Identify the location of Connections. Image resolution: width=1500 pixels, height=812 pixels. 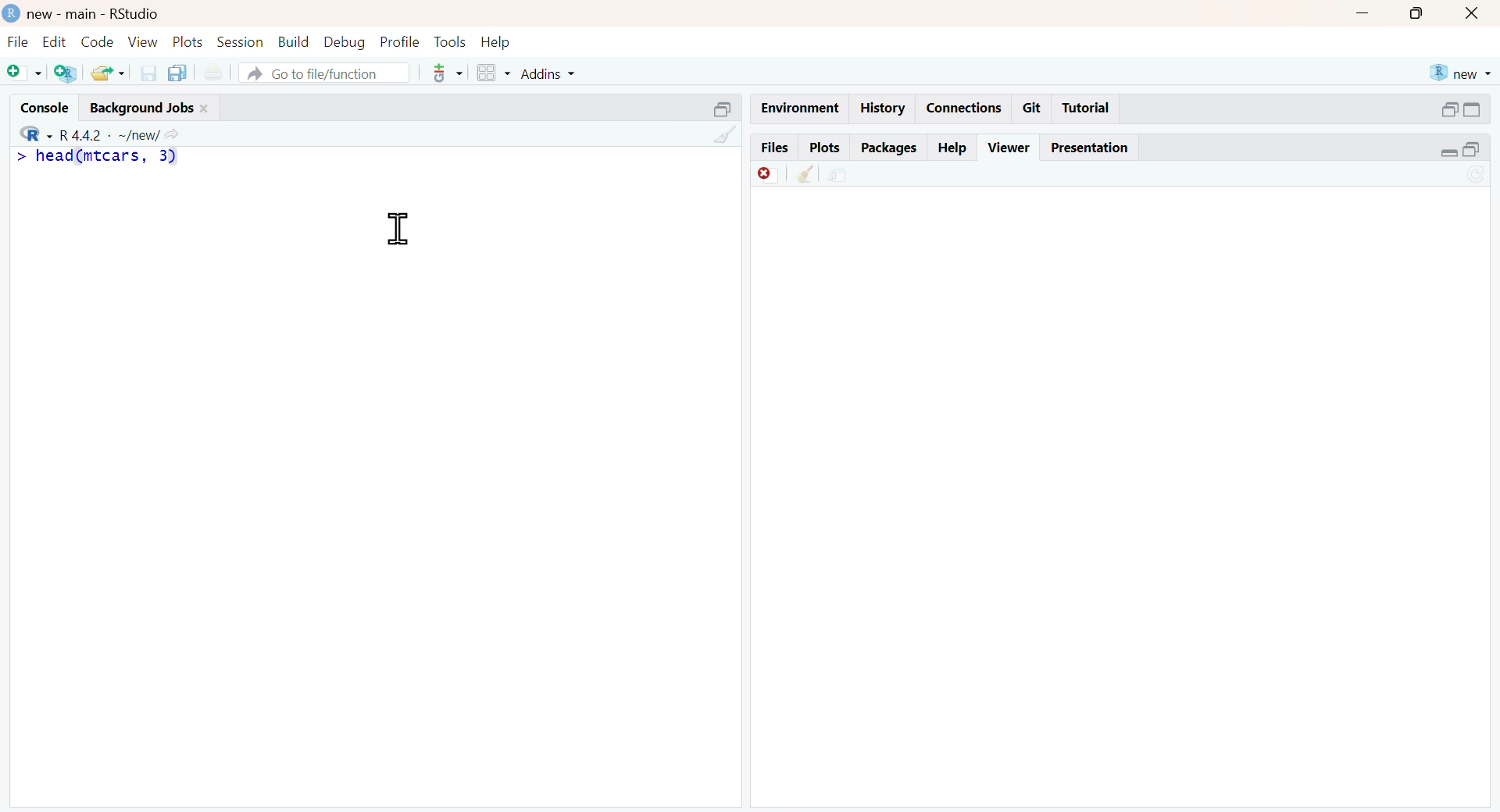
(962, 106).